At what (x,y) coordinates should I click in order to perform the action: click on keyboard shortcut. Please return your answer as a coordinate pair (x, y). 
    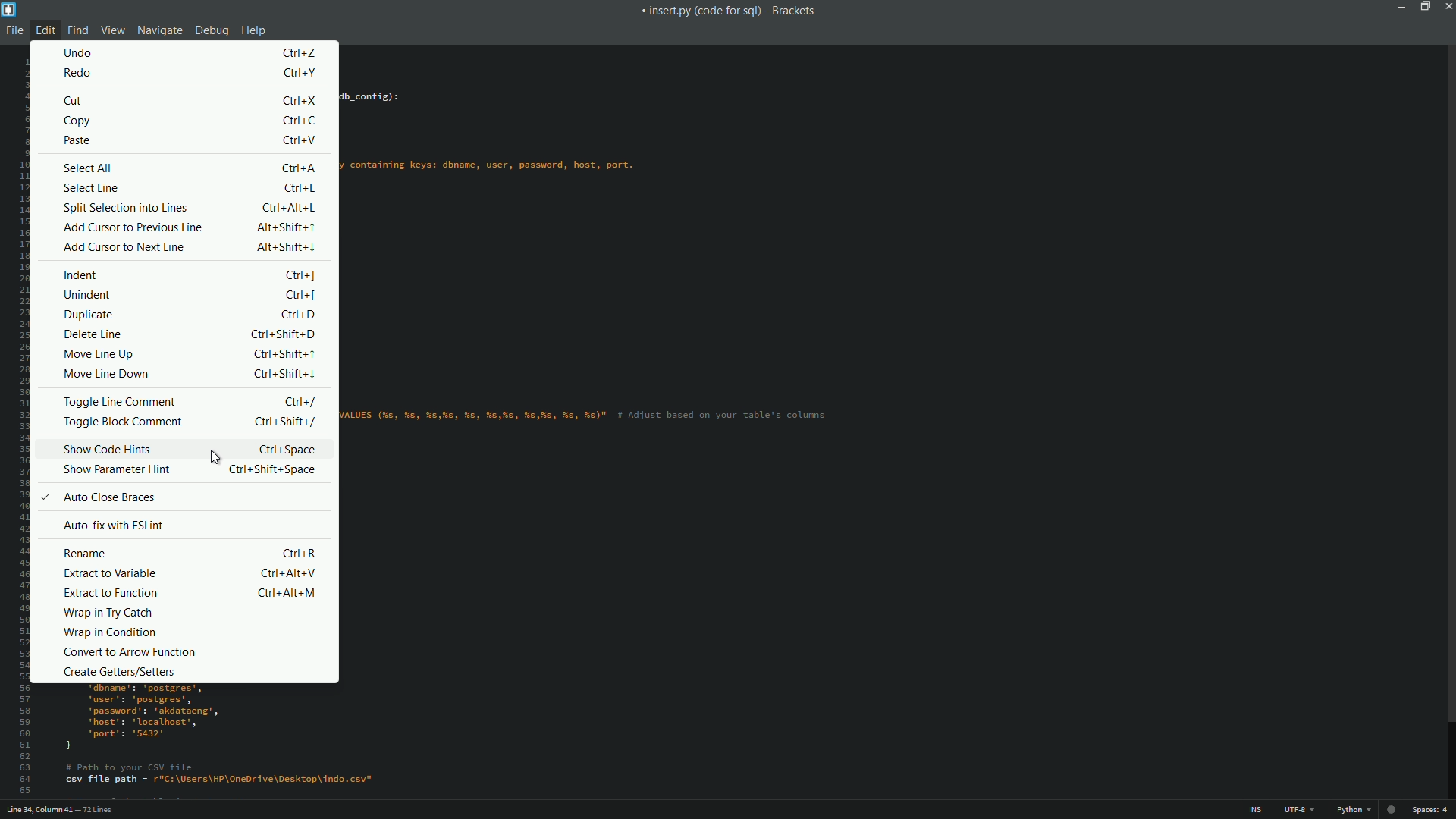
    Looking at the image, I should click on (300, 102).